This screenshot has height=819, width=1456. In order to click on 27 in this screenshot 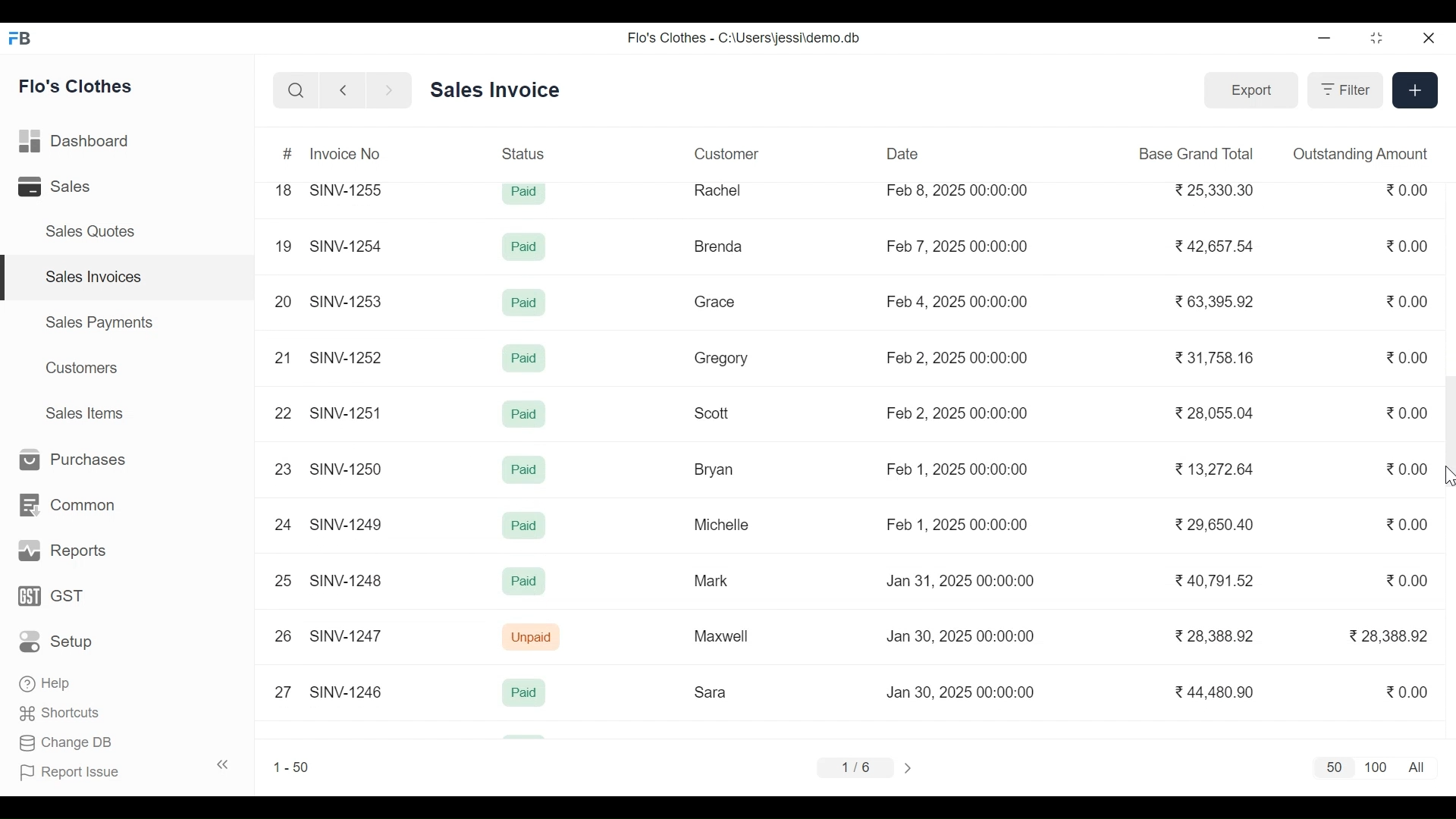, I will do `click(283, 690)`.